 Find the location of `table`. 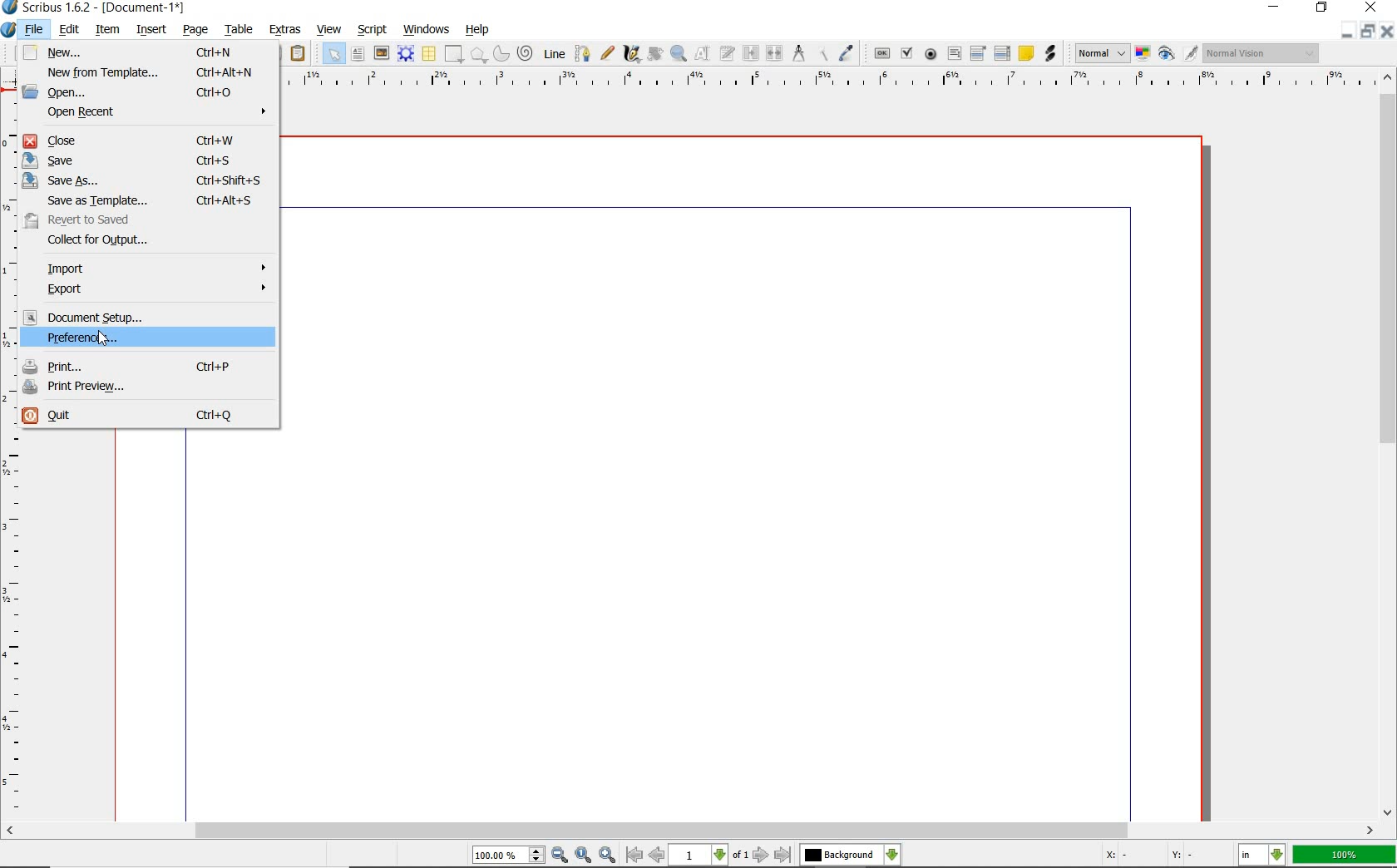

table is located at coordinates (239, 28).